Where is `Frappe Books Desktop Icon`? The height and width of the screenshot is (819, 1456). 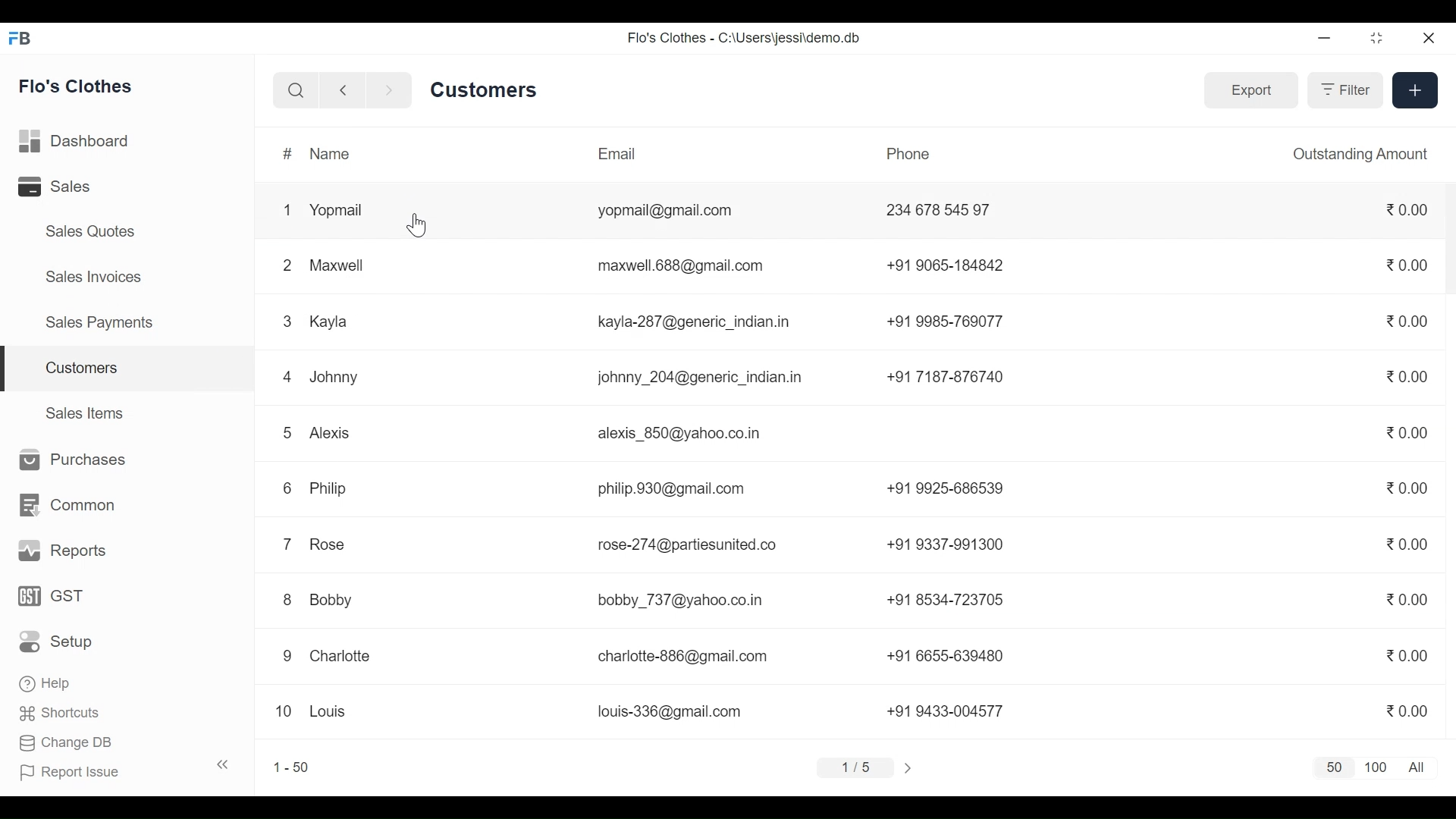
Frappe Books Desktop Icon is located at coordinates (18, 39).